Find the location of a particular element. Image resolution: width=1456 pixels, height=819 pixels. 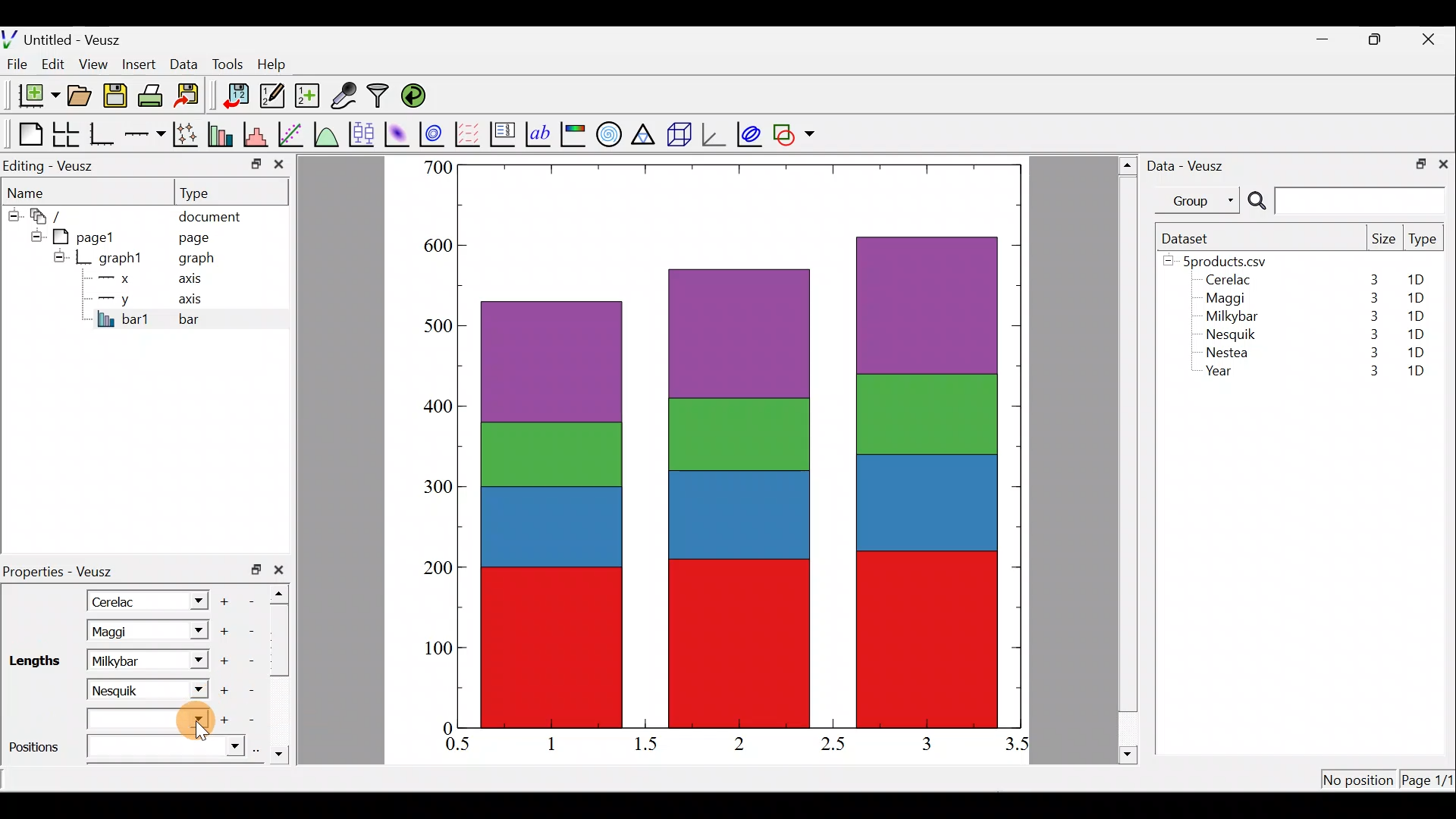

hide is located at coordinates (59, 256).